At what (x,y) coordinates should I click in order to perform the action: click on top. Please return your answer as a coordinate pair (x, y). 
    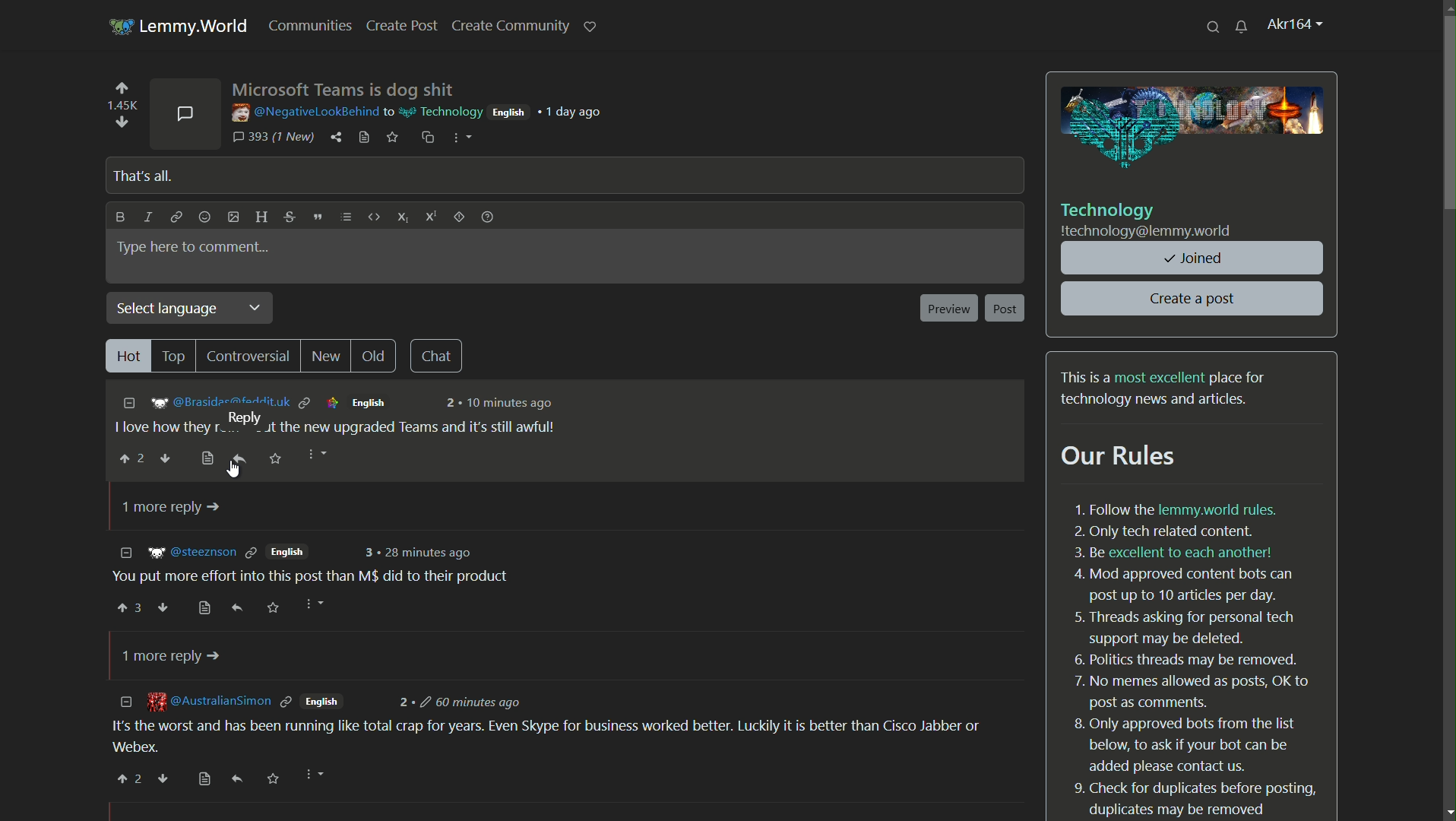
    Looking at the image, I should click on (176, 355).